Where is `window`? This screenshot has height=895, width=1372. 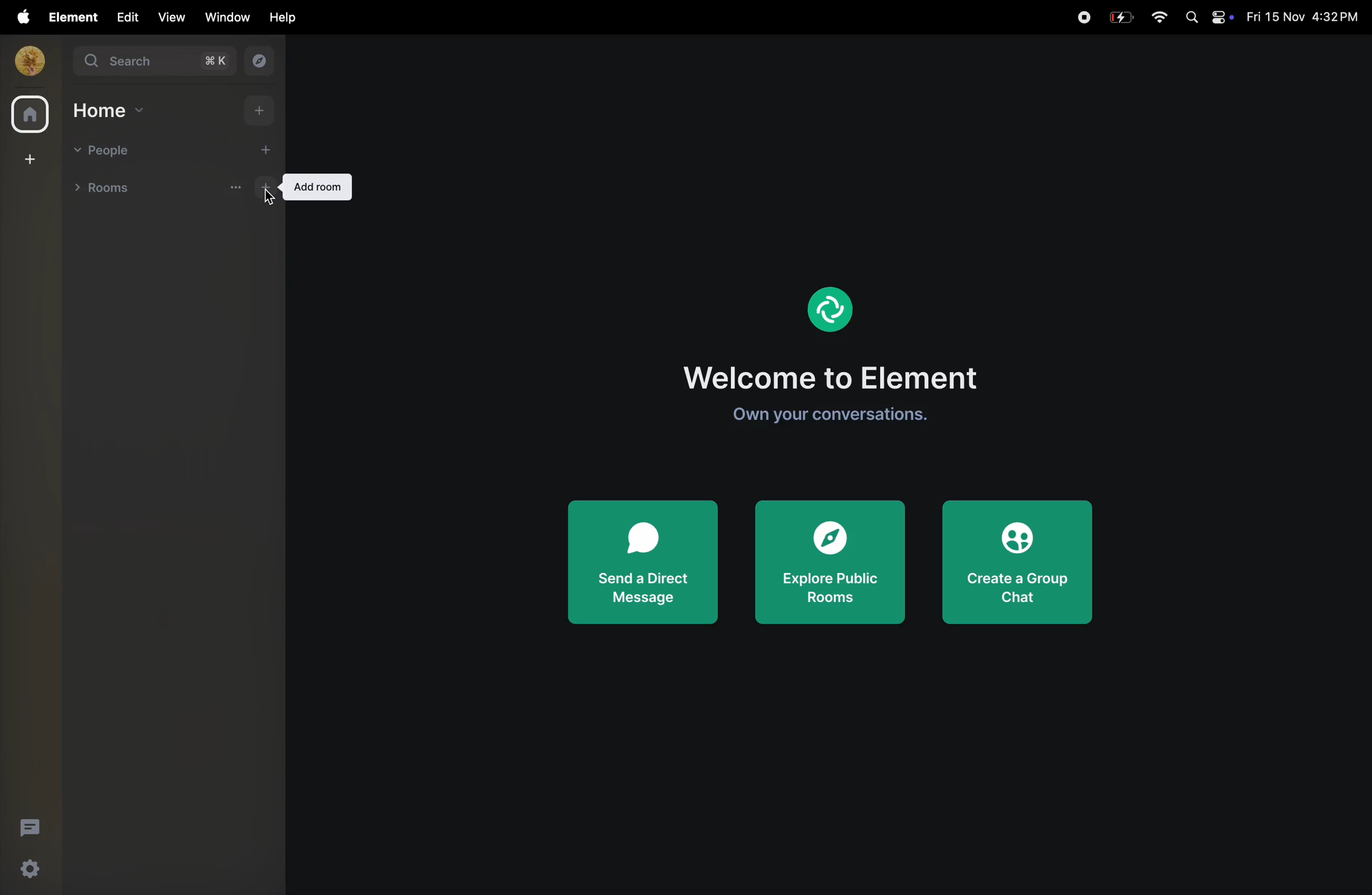 window is located at coordinates (224, 17).